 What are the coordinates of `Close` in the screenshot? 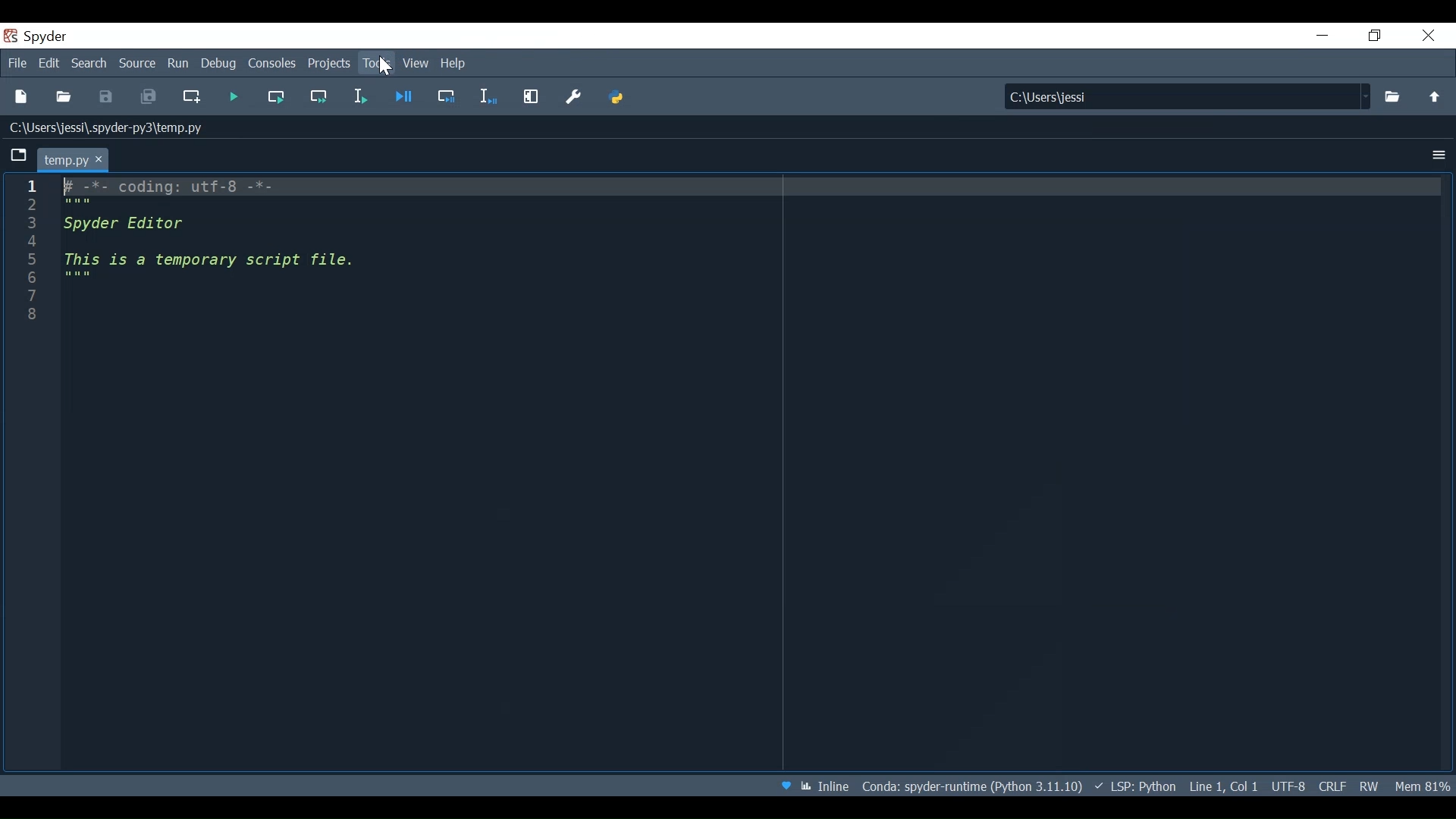 It's located at (1426, 36).